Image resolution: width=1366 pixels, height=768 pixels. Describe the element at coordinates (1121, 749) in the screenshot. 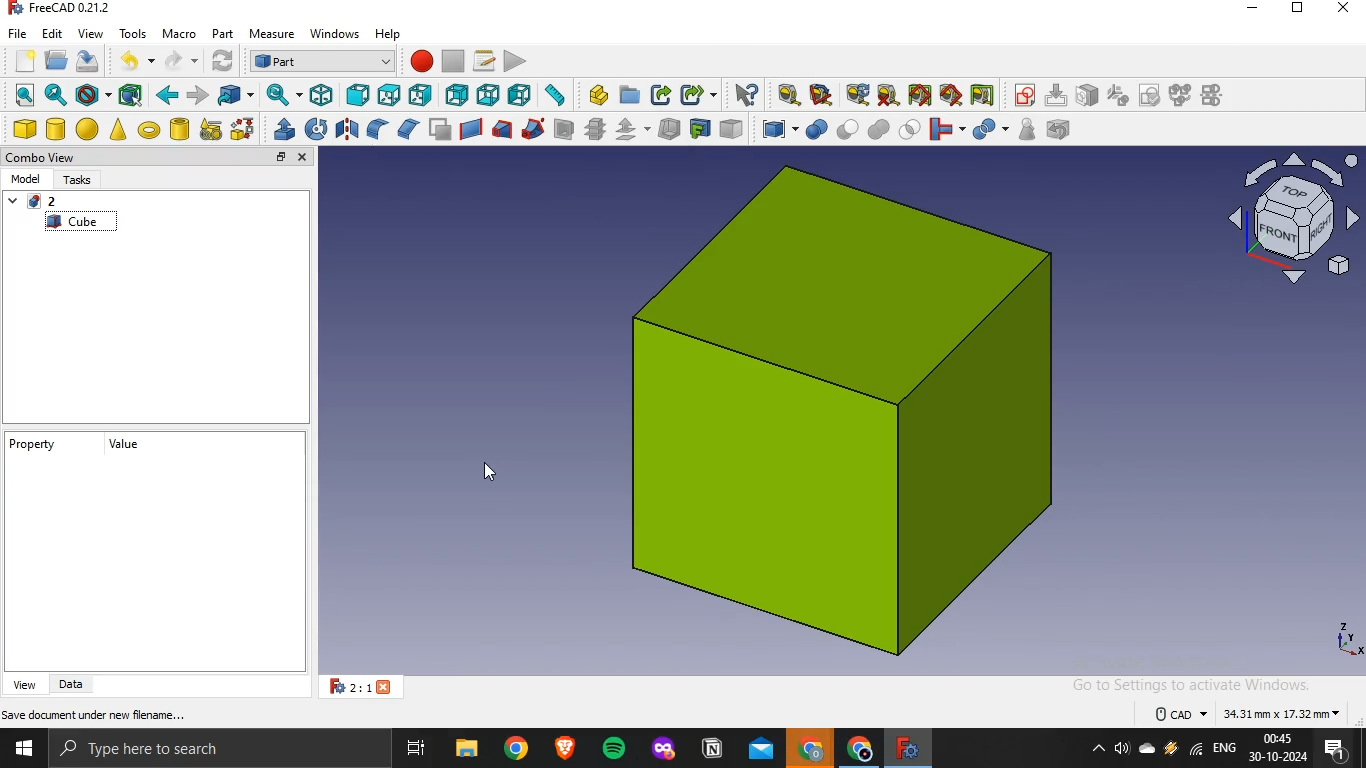

I see `volume` at that location.